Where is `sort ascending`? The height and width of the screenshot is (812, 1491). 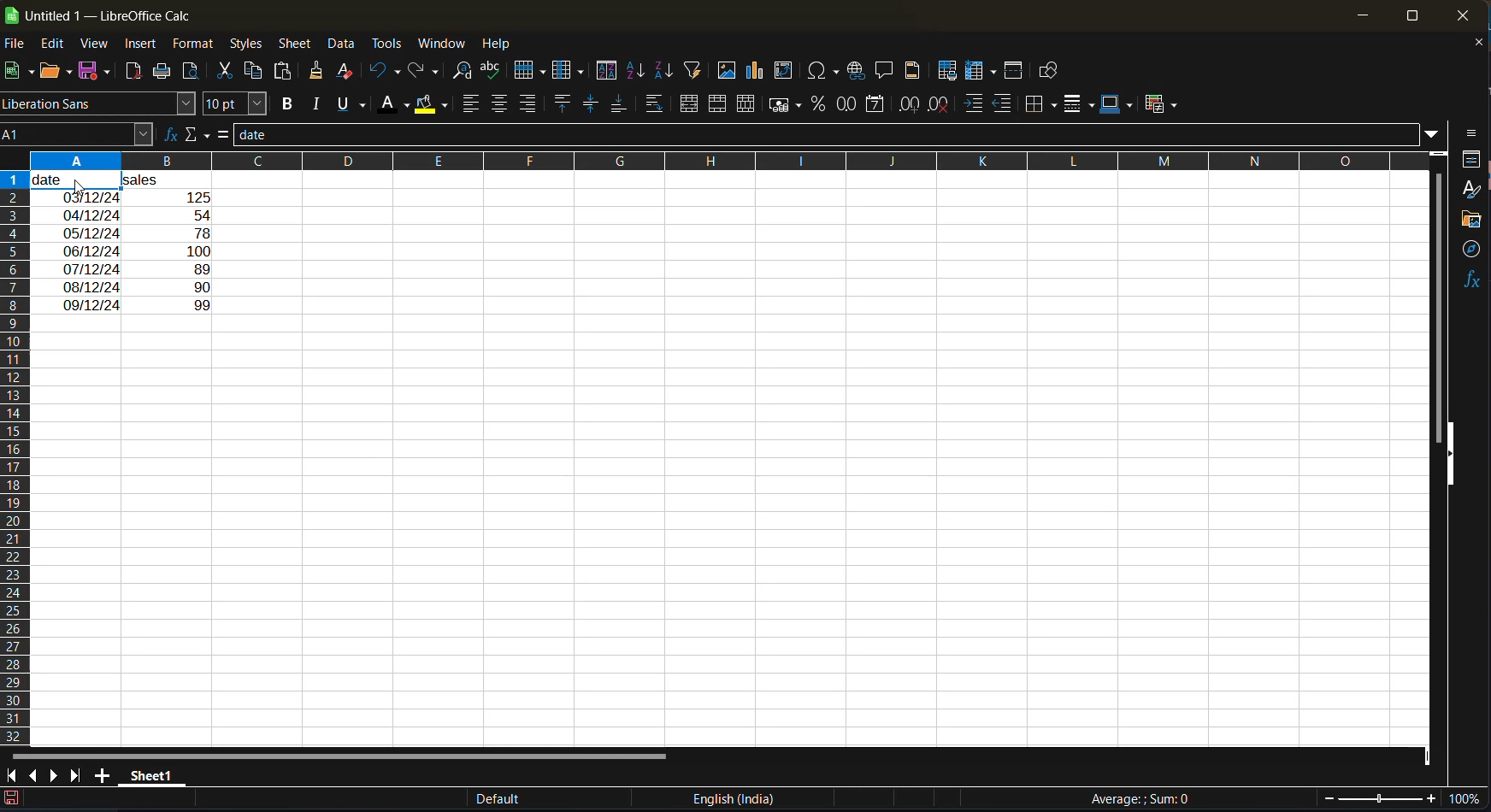
sort ascending is located at coordinates (638, 71).